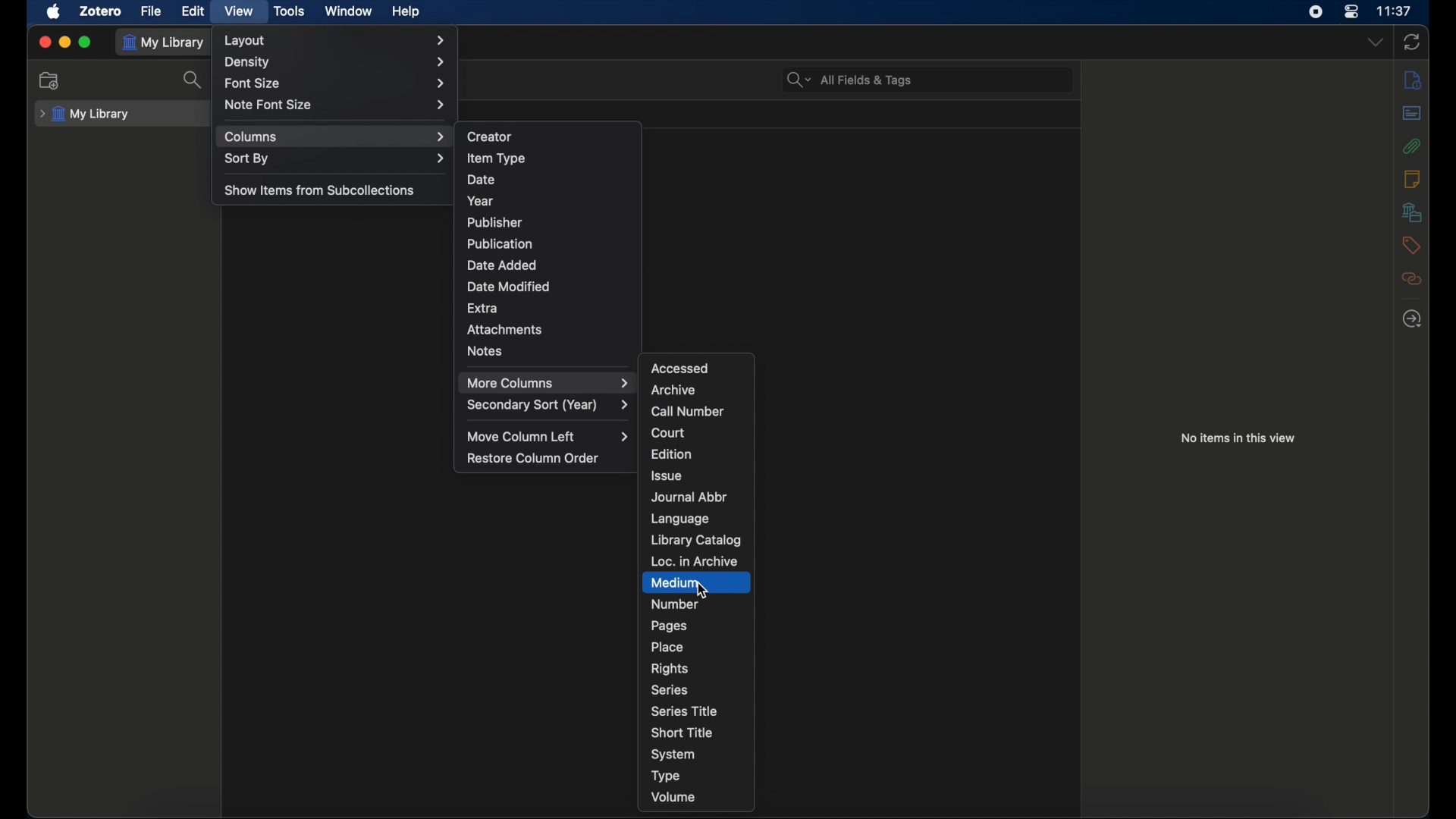 The image size is (1456, 819). I want to click on edition, so click(673, 453).